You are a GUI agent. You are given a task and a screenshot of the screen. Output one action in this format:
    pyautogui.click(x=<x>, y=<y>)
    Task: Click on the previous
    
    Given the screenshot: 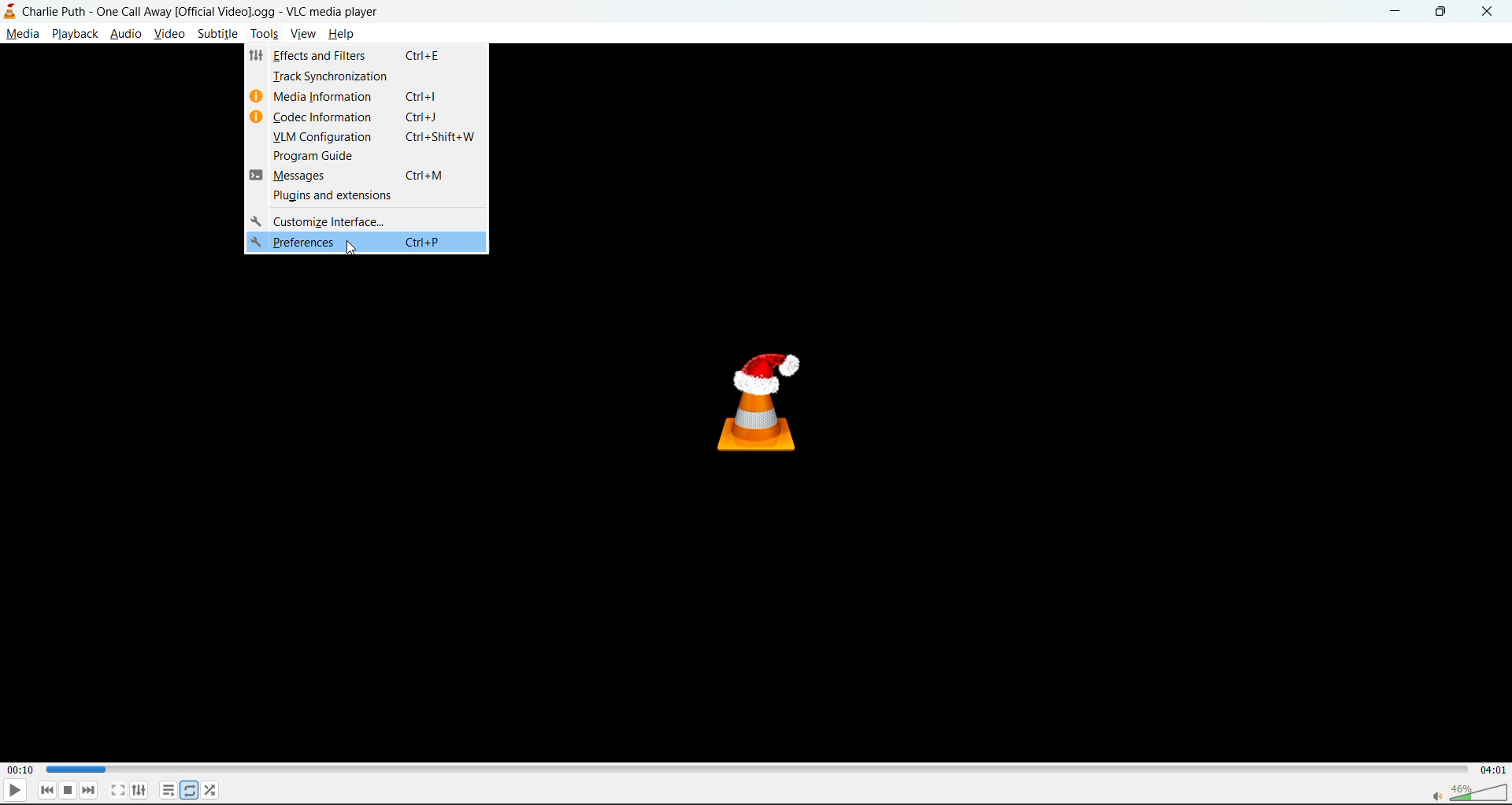 What is the action you would take?
    pyautogui.click(x=46, y=791)
    